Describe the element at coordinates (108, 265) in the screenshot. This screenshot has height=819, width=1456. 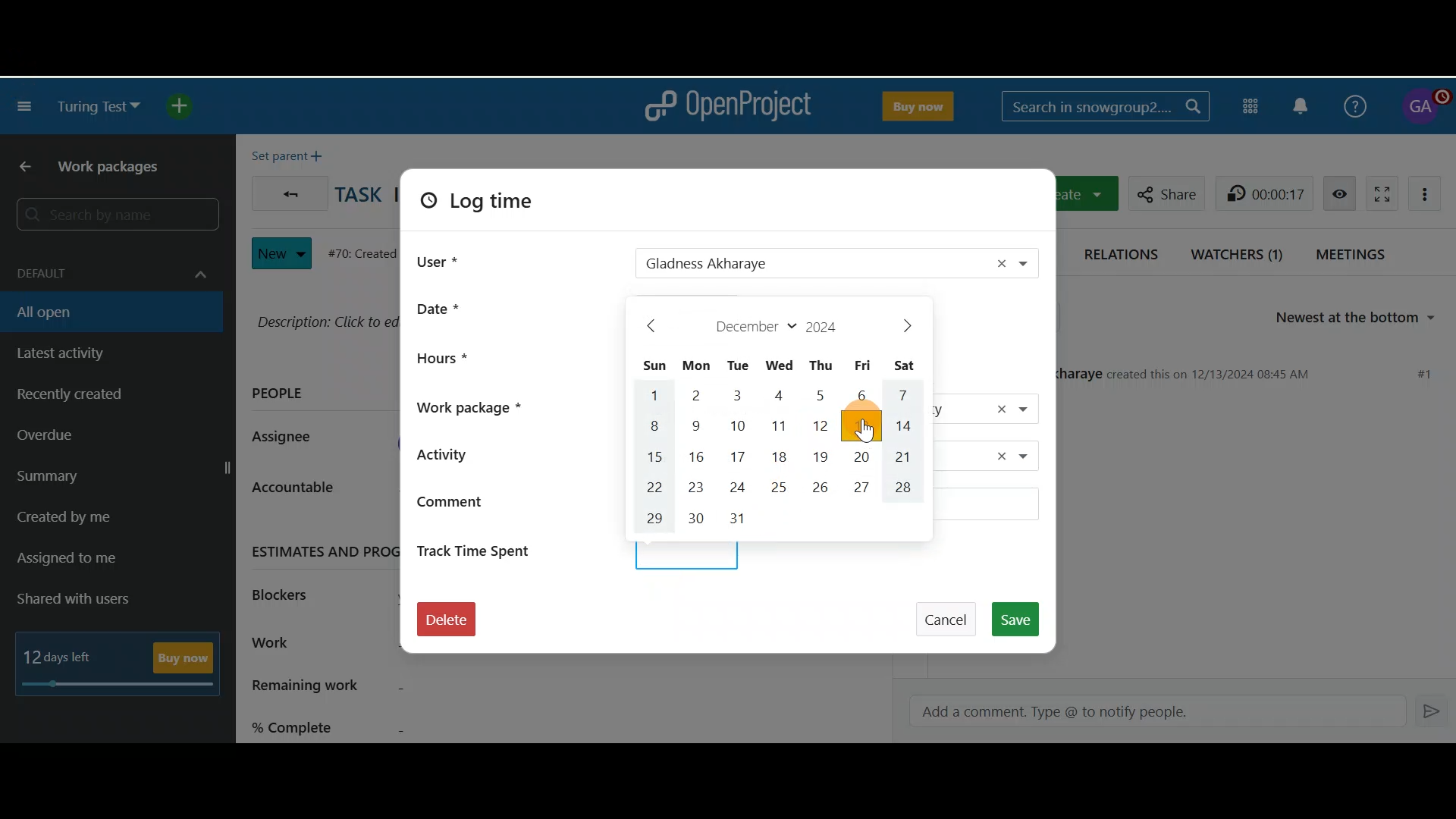
I see `Default` at that location.